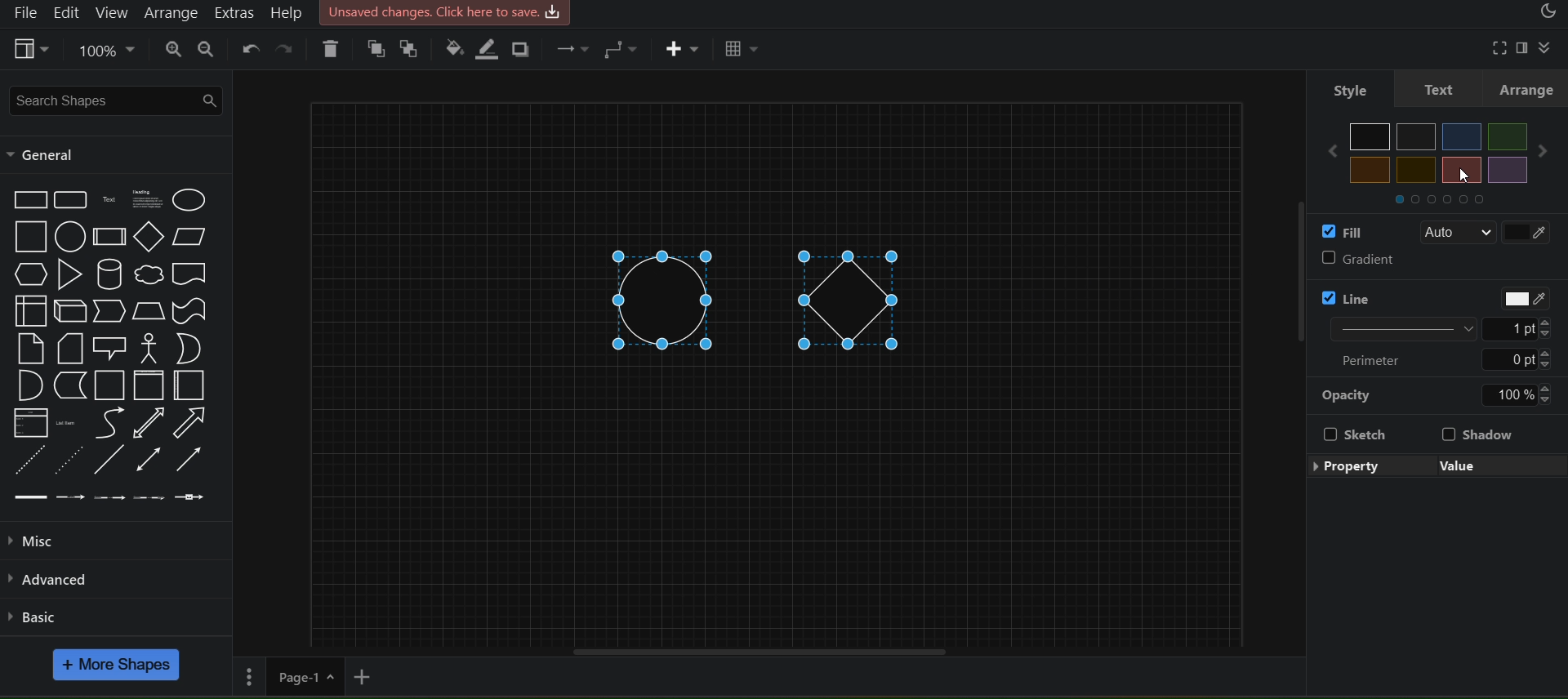 This screenshot has height=699, width=1568. Describe the element at coordinates (149, 496) in the screenshot. I see `Connector with 3 labels` at that location.